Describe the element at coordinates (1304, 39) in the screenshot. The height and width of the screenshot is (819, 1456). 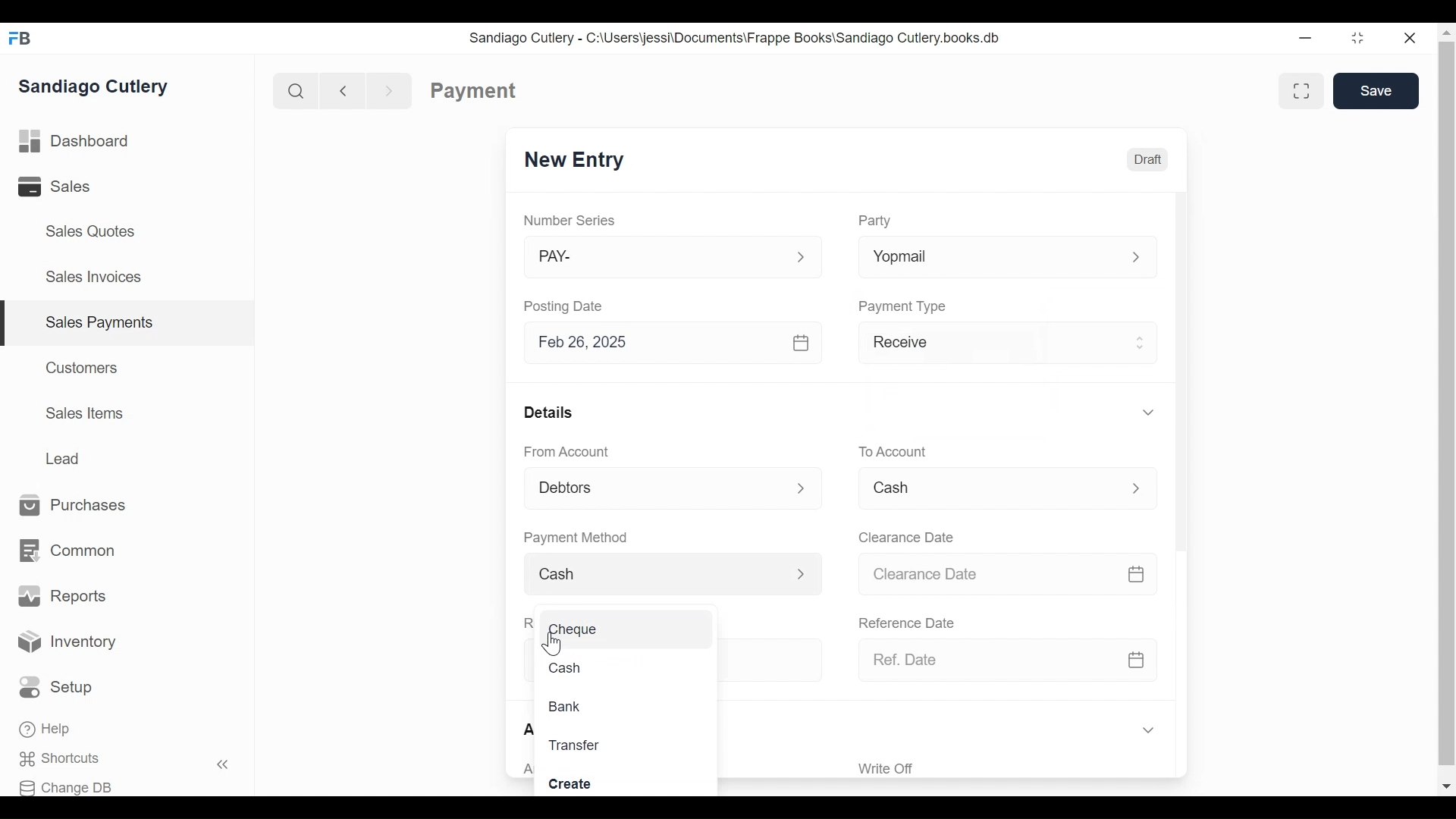
I see `Minimize` at that location.